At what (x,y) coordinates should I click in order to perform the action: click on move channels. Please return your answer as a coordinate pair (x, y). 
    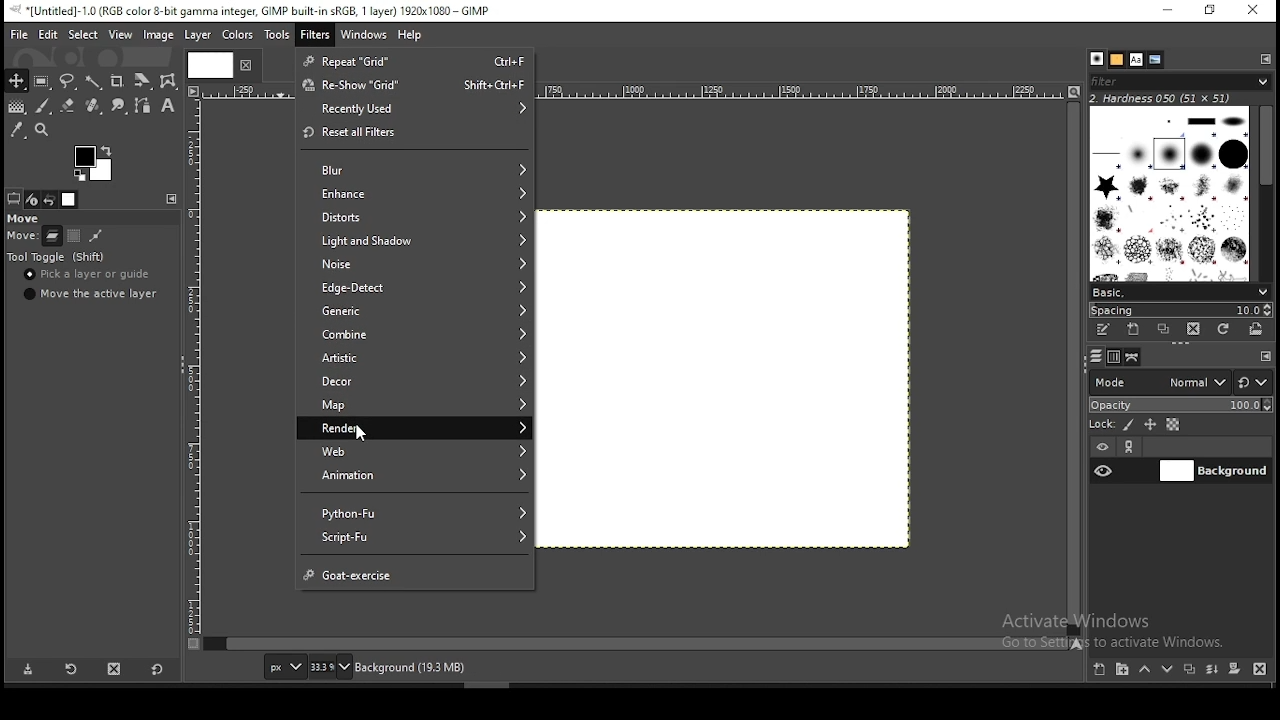
    Looking at the image, I should click on (75, 235).